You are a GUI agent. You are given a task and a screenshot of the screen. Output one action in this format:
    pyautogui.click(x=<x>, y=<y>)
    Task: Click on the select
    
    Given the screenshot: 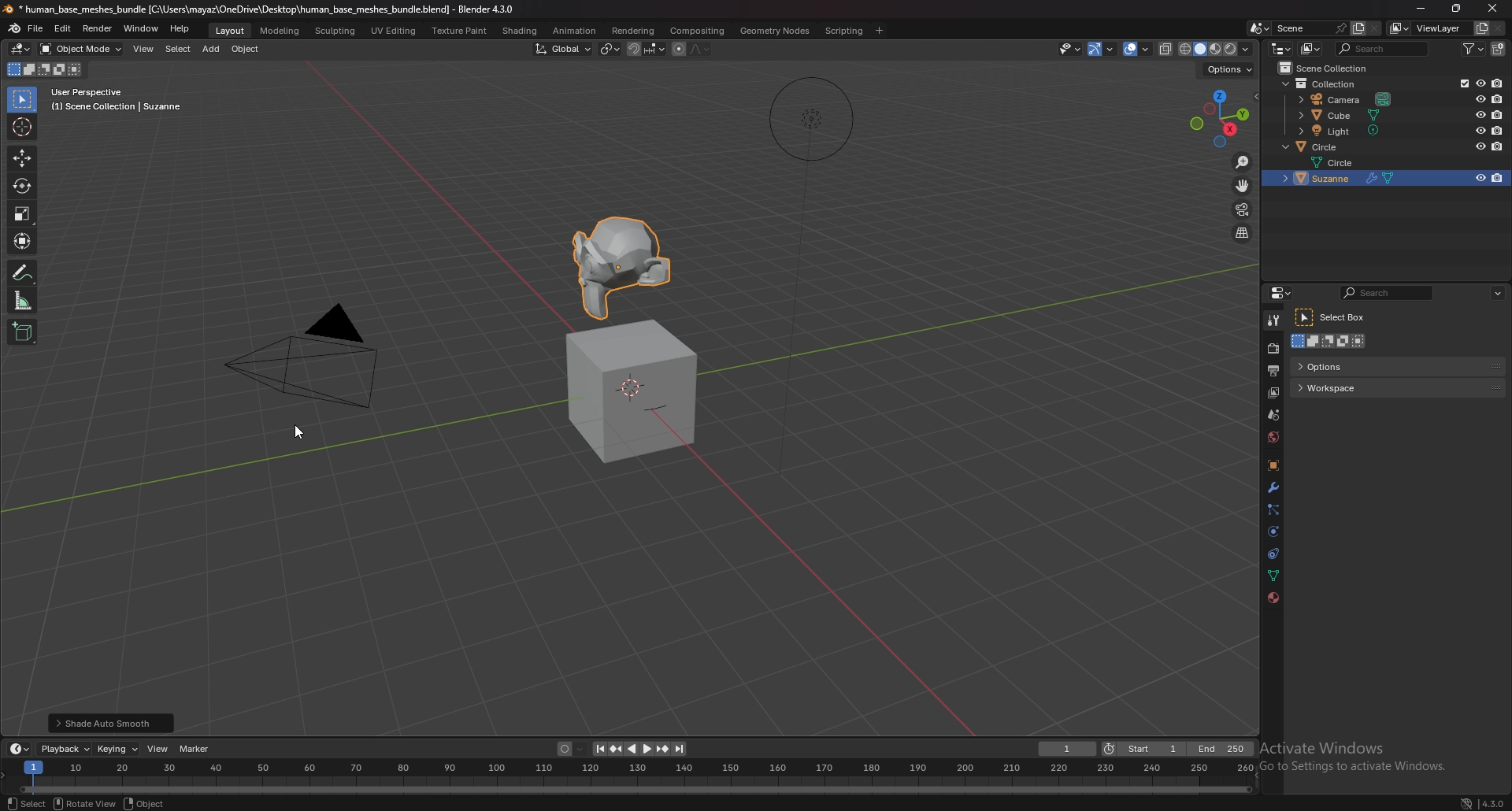 What is the action you would take?
    pyautogui.click(x=179, y=49)
    